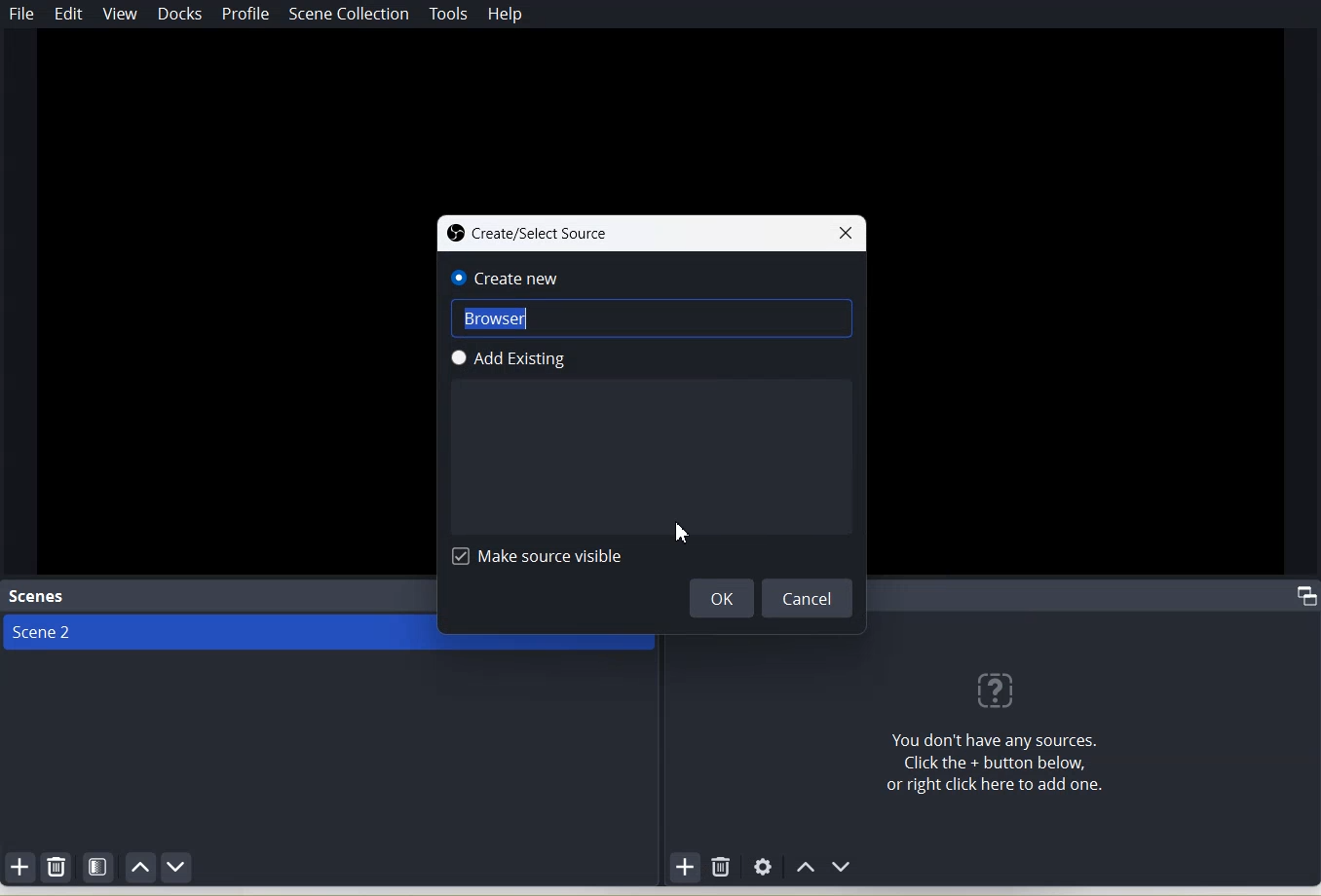 The image size is (1321, 896). What do you see at coordinates (120, 14) in the screenshot?
I see `View` at bounding box center [120, 14].